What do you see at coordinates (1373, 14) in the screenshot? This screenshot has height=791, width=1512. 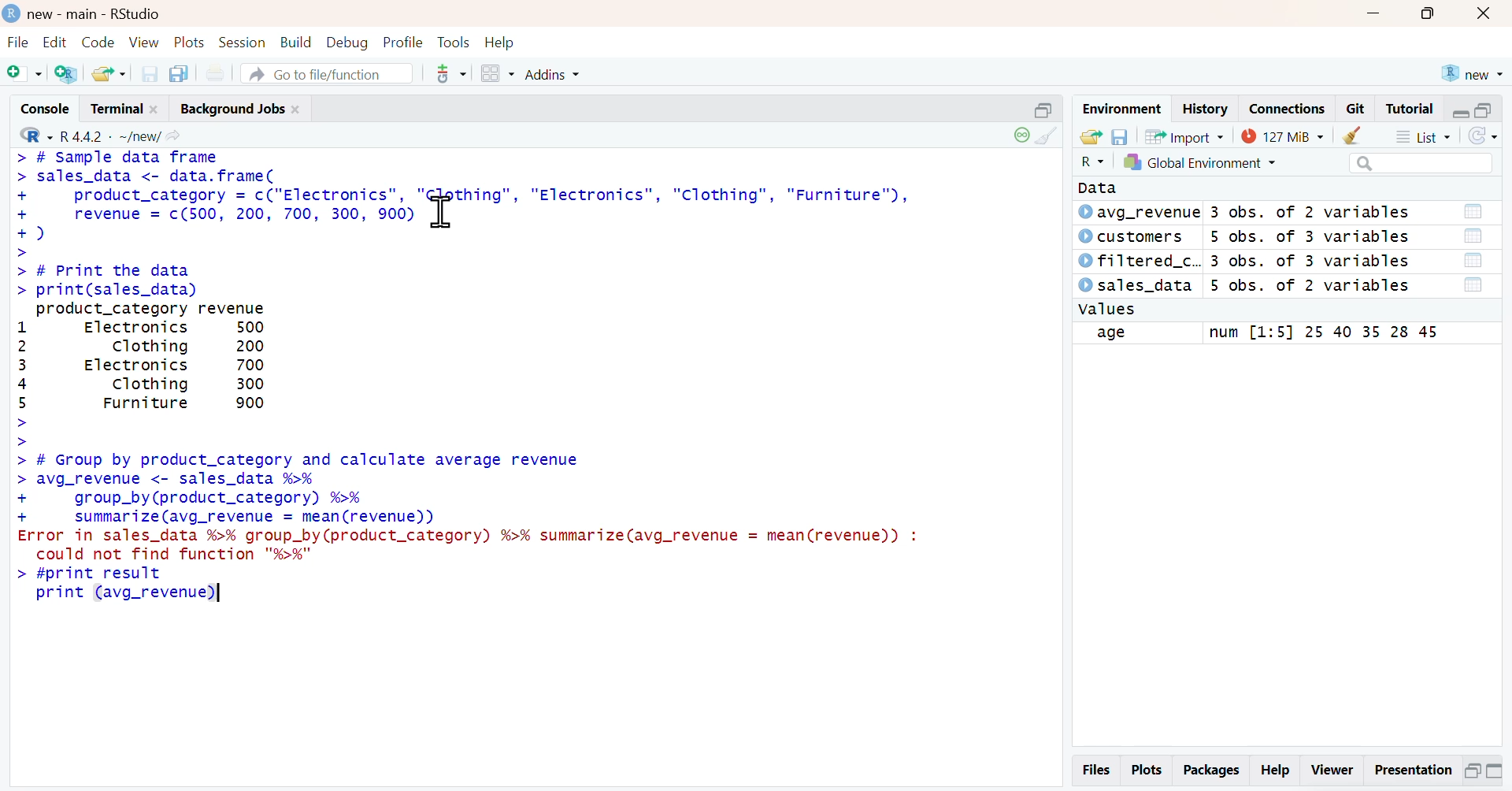 I see `minimize` at bounding box center [1373, 14].